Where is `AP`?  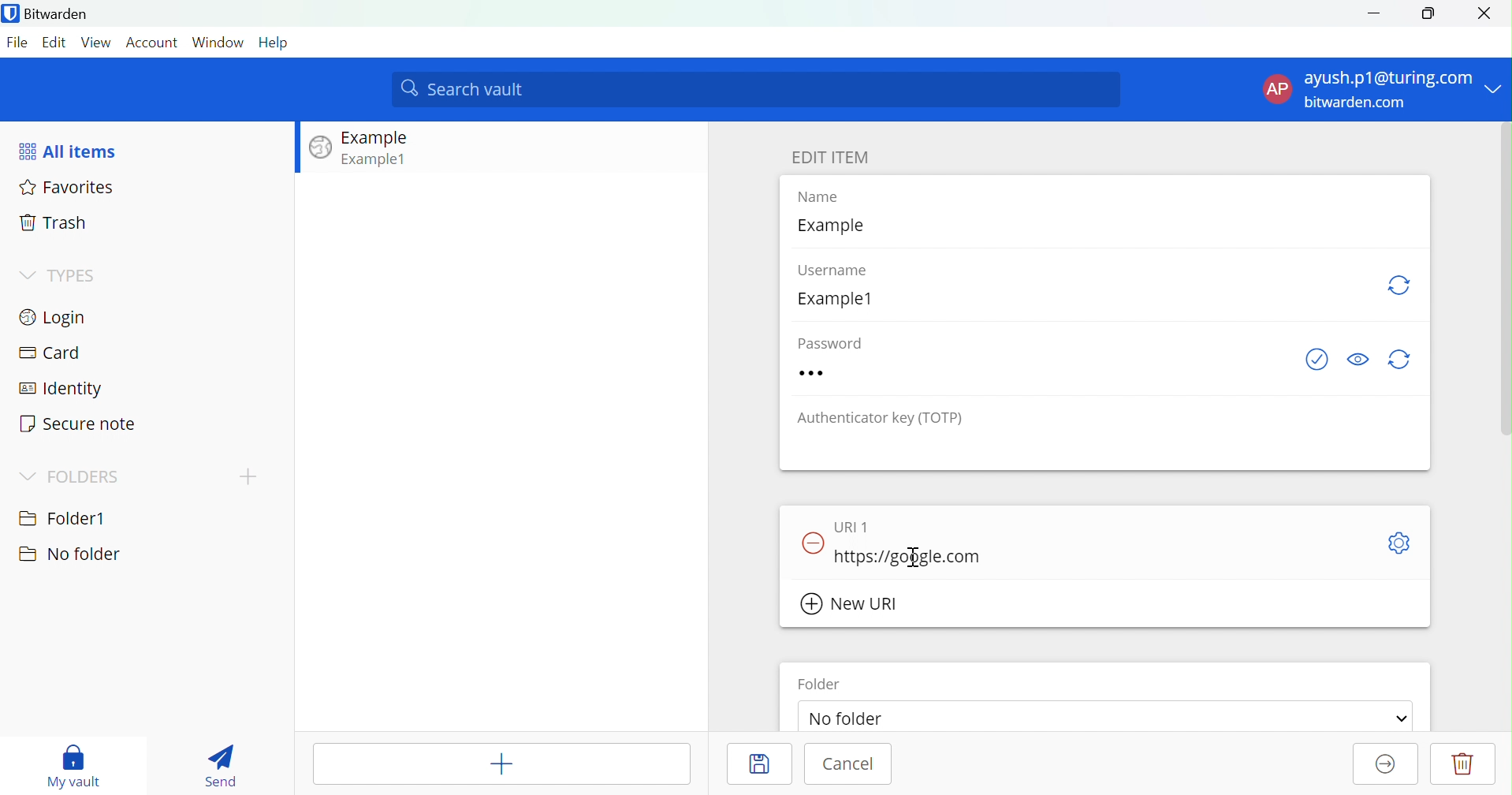 AP is located at coordinates (1277, 90).